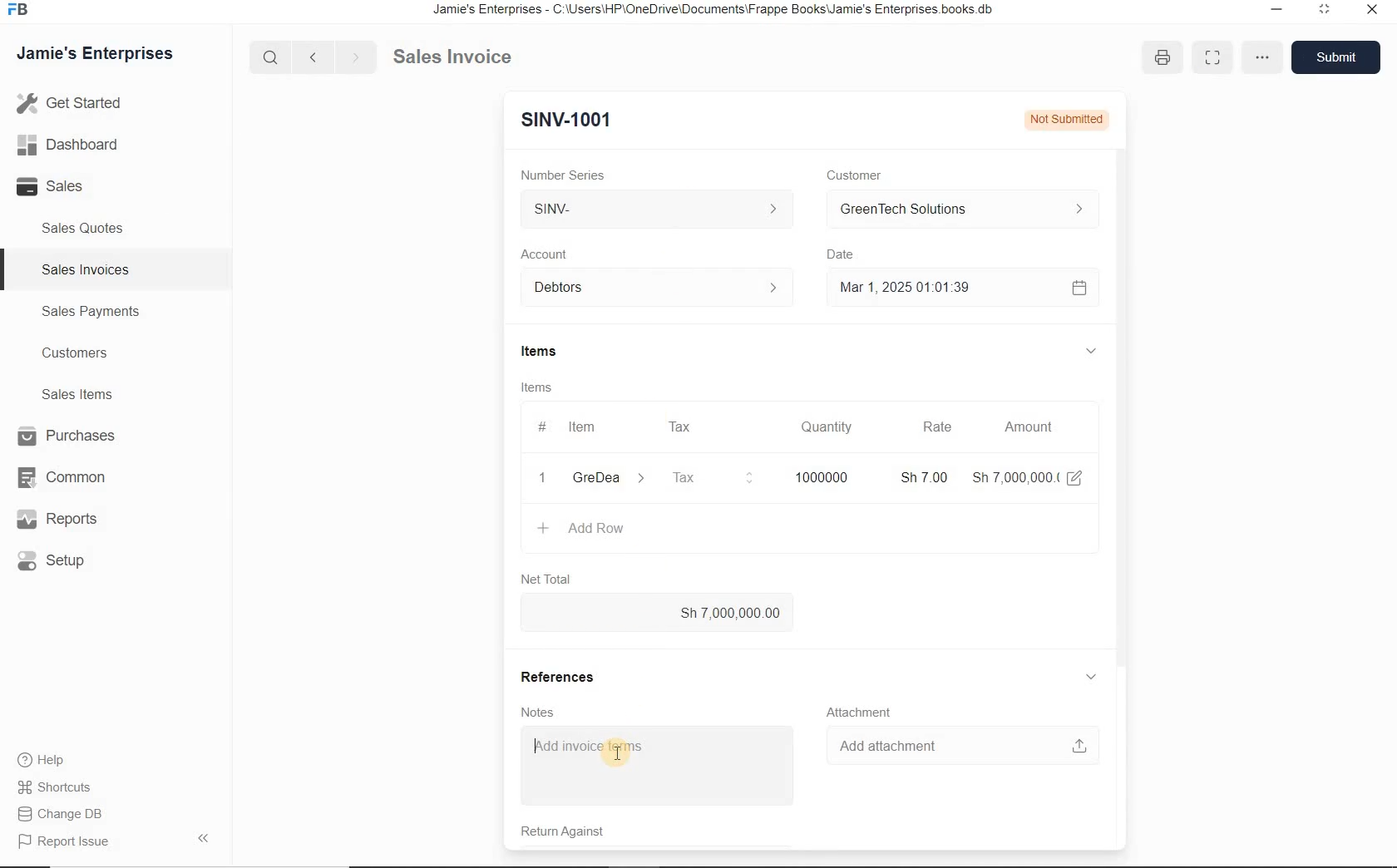 The image size is (1397, 868). I want to click on Sales Items, so click(73, 394).